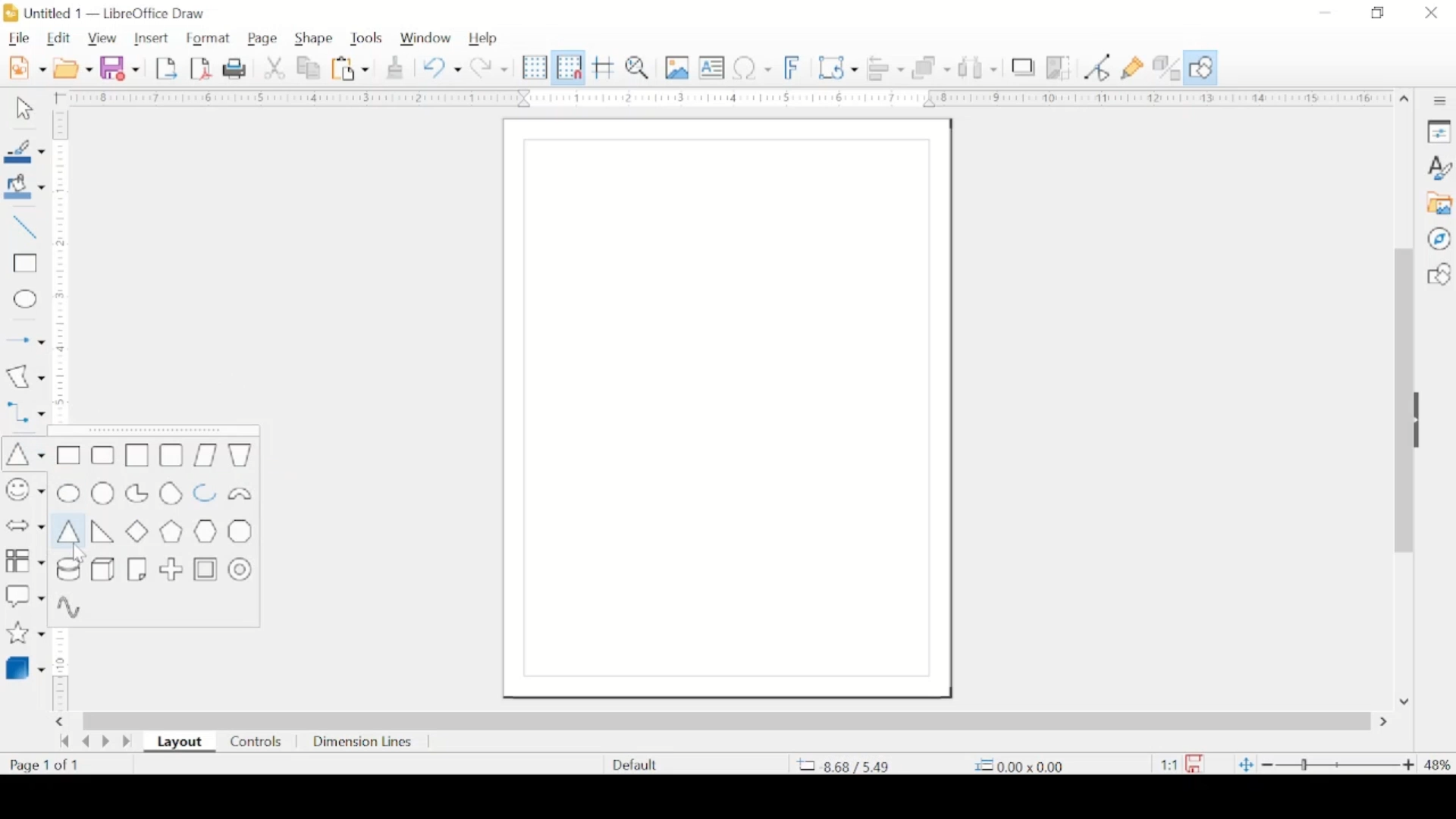 This screenshot has height=819, width=1456. What do you see at coordinates (25, 559) in the screenshot?
I see `flowchart` at bounding box center [25, 559].